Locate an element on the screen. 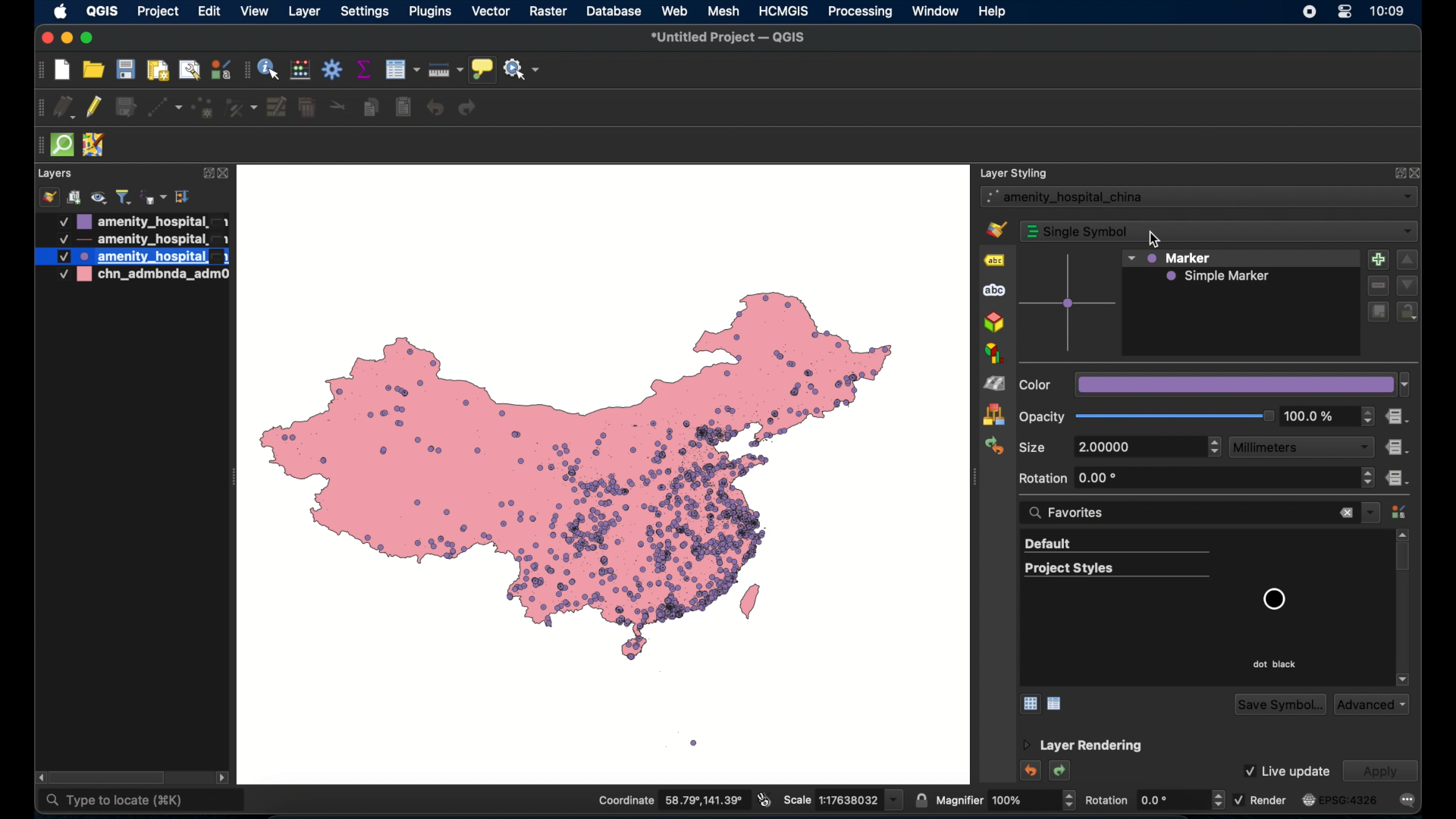  size is located at coordinates (1033, 446).